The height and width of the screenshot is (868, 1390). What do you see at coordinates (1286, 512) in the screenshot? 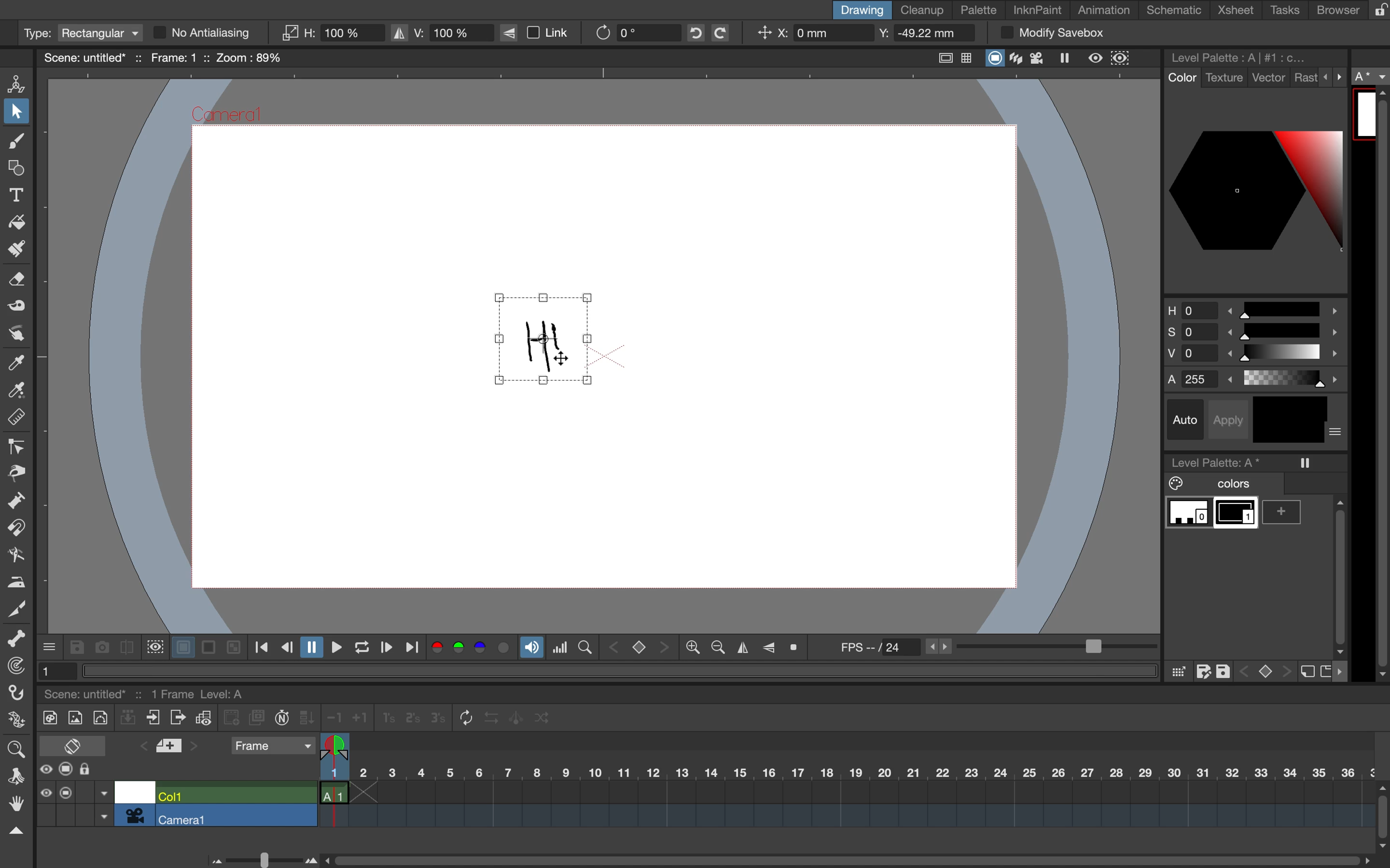
I see `add color` at bounding box center [1286, 512].